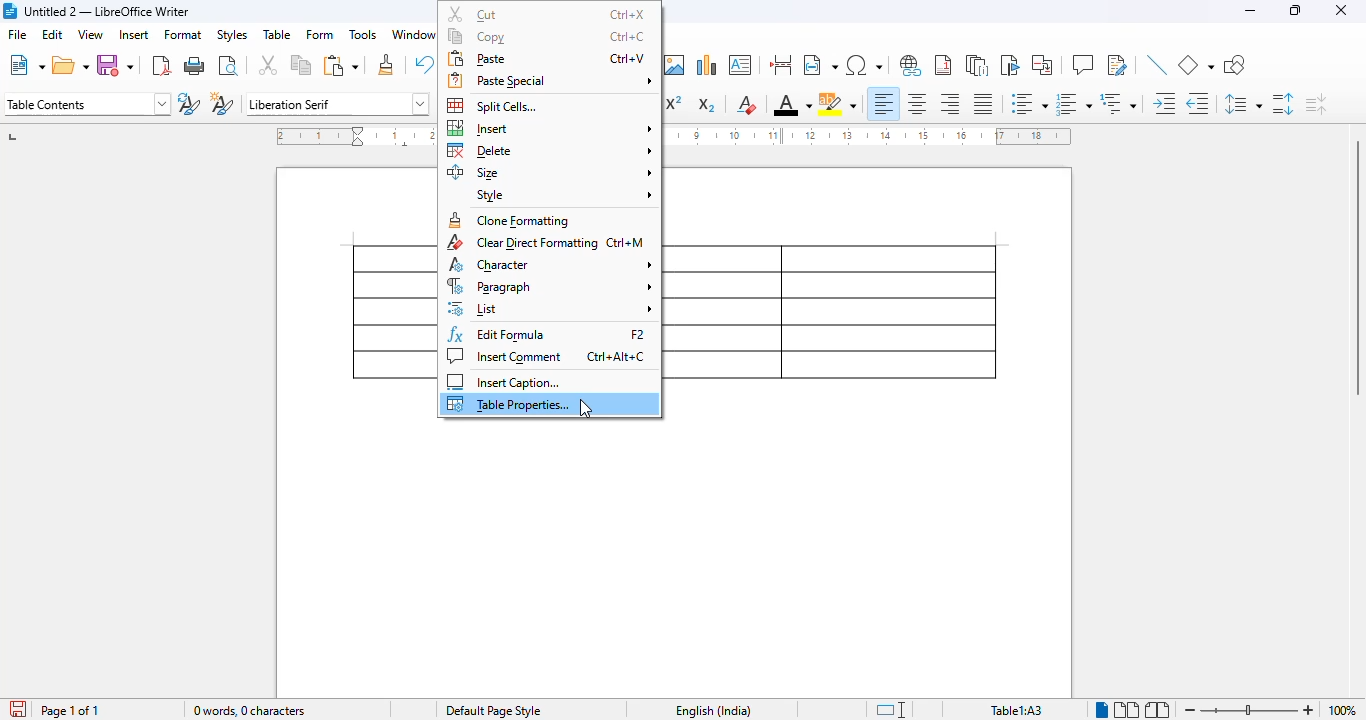 This screenshot has height=720, width=1366. I want to click on shortcut for insert comment, so click(617, 357).